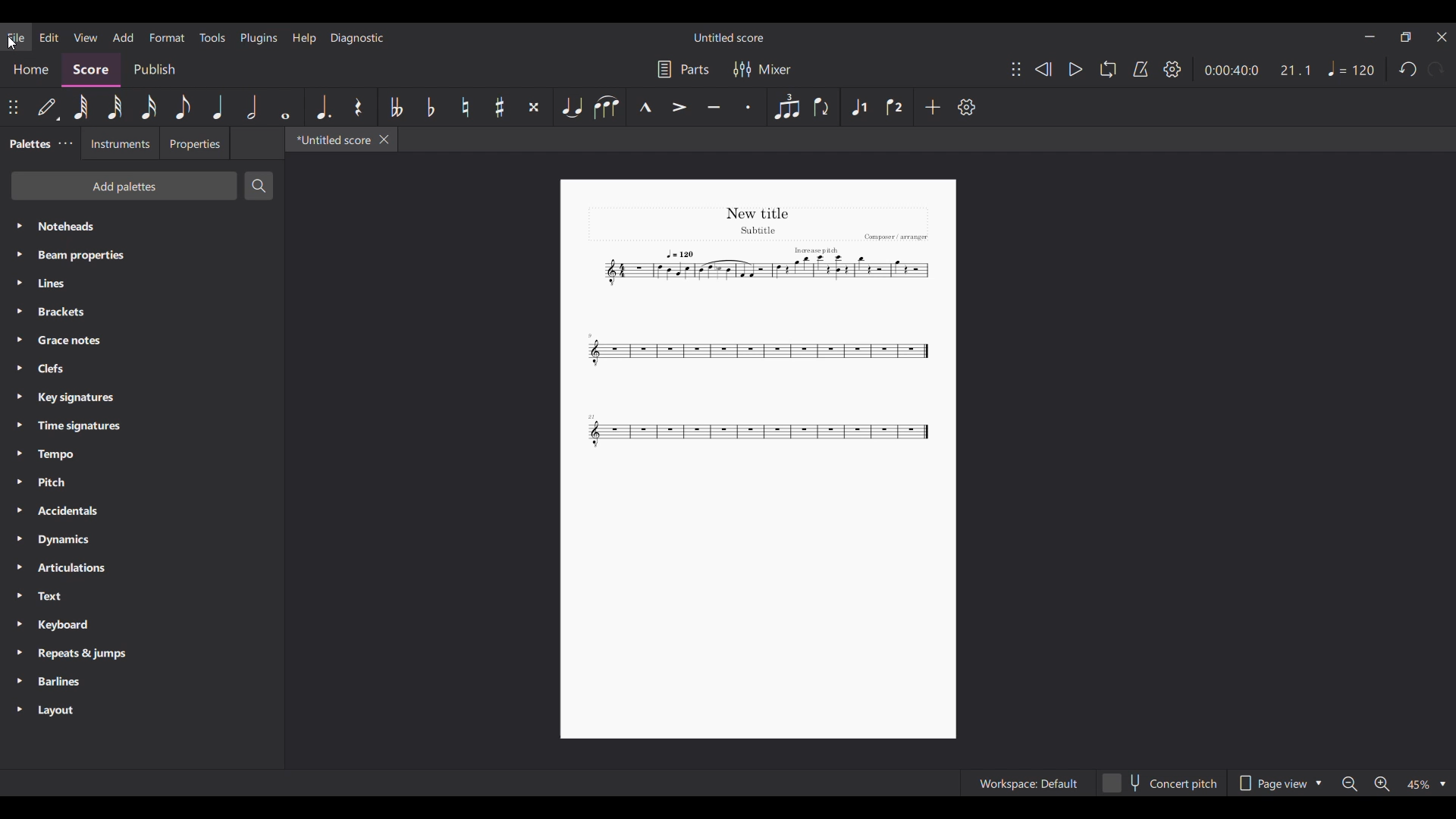 This screenshot has width=1456, height=819. What do you see at coordinates (384, 140) in the screenshot?
I see `Close tab` at bounding box center [384, 140].